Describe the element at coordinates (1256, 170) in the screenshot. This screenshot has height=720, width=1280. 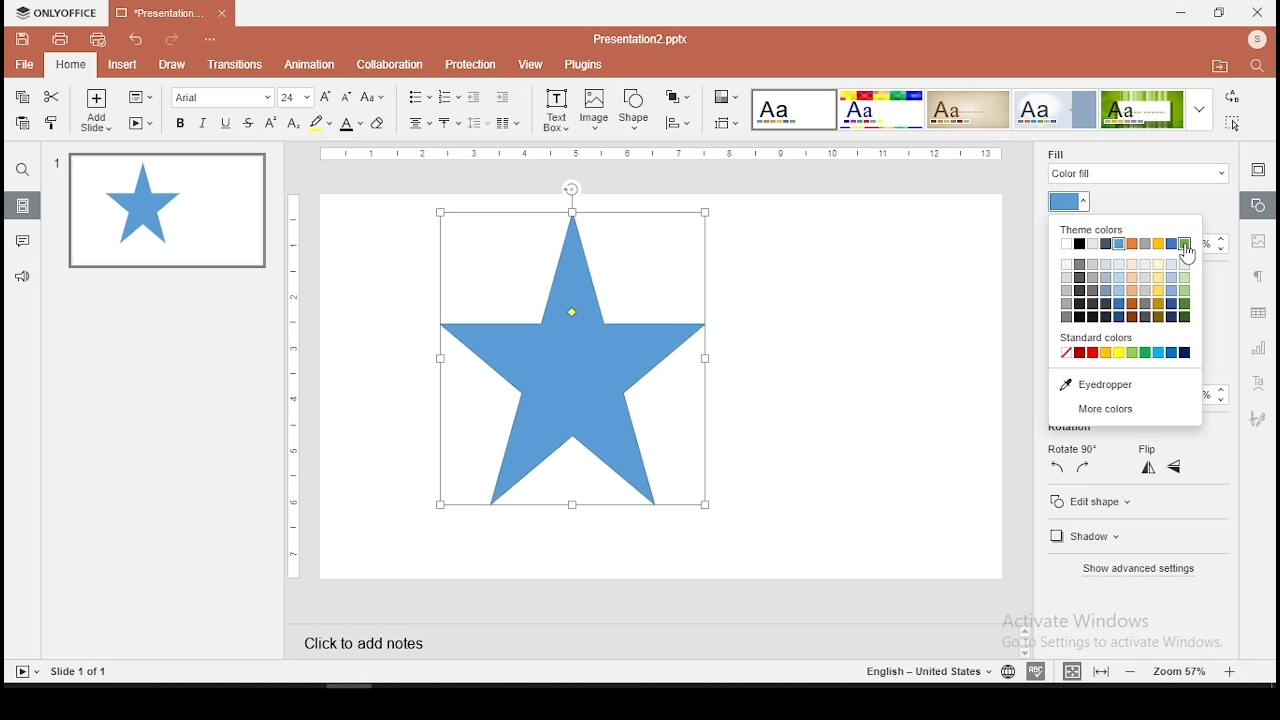
I see `slide settings` at that location.